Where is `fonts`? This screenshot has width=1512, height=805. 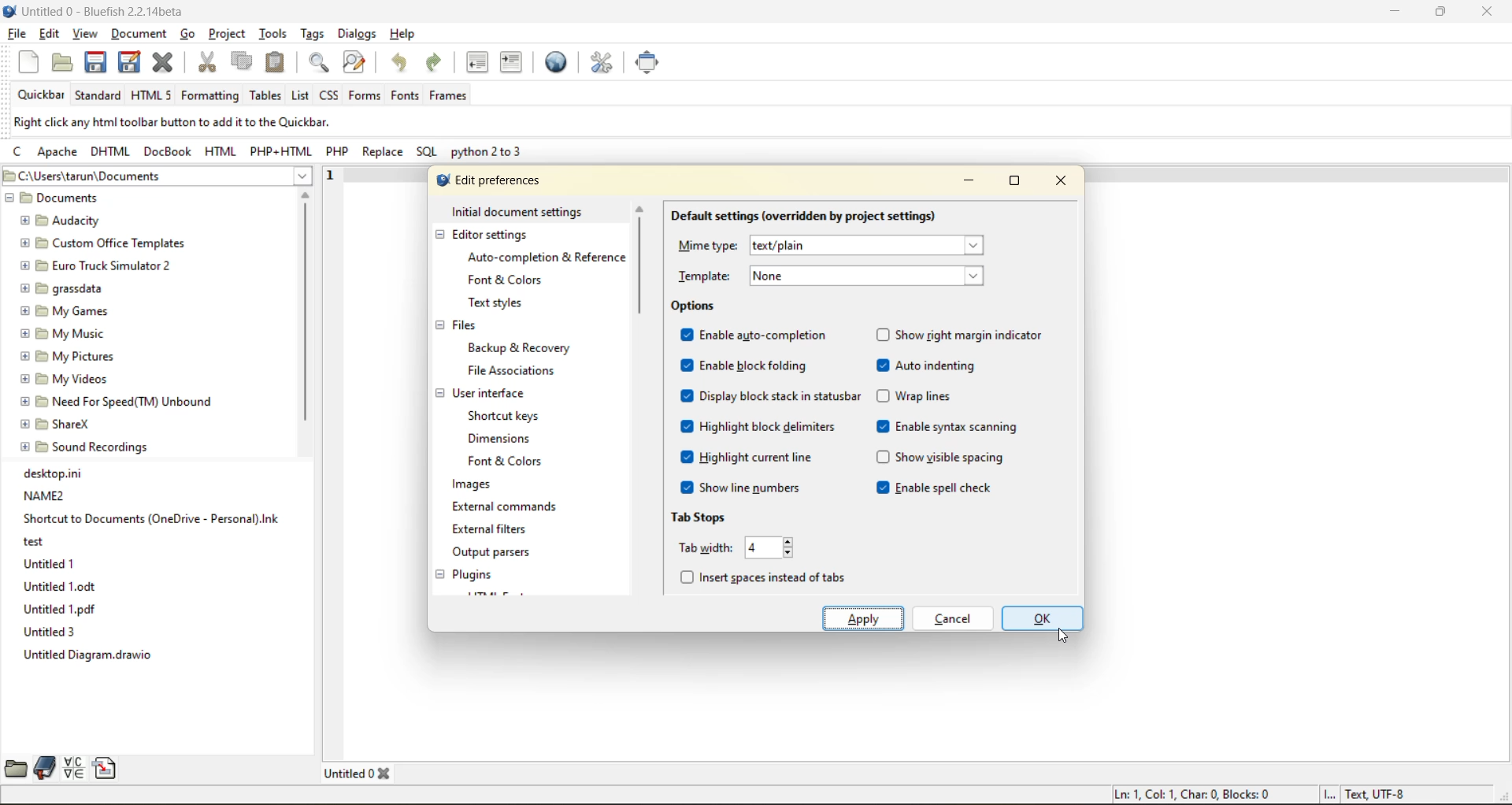 fonts is located at coordinates (405, 97).